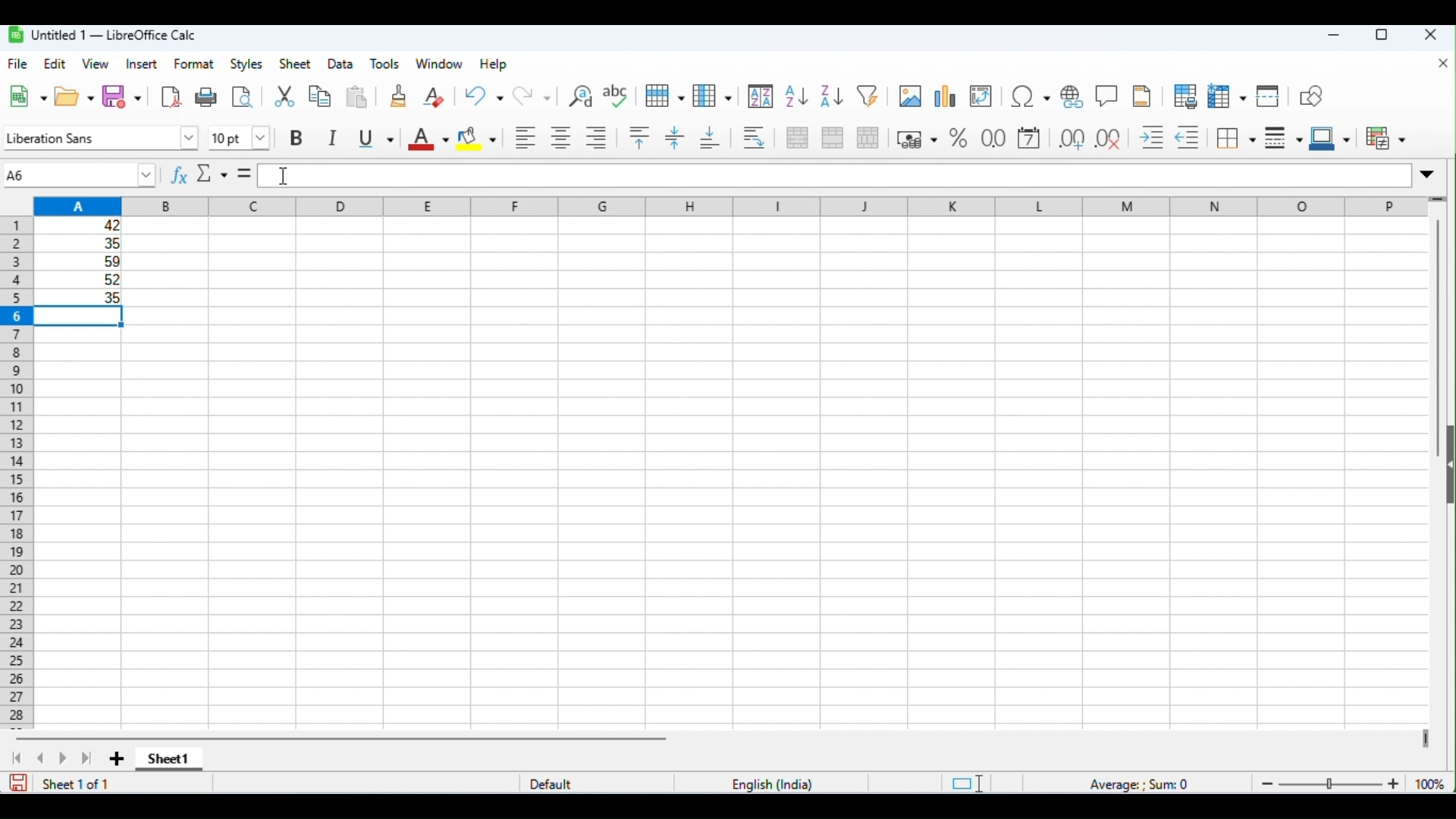  I want to click on conditional, so click(1384, 139).